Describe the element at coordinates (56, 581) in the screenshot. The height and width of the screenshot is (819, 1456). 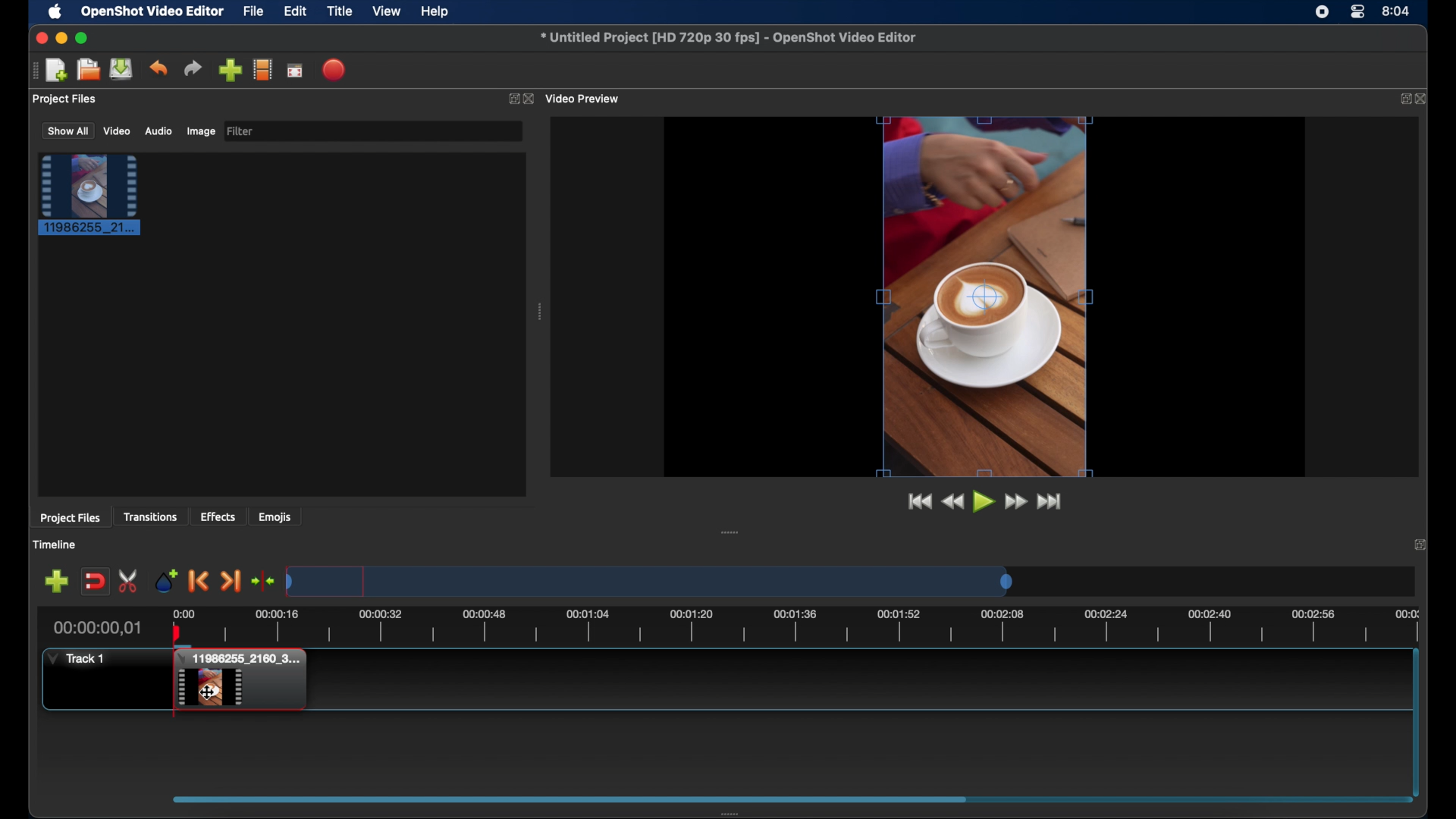
I see `add track` at that location.